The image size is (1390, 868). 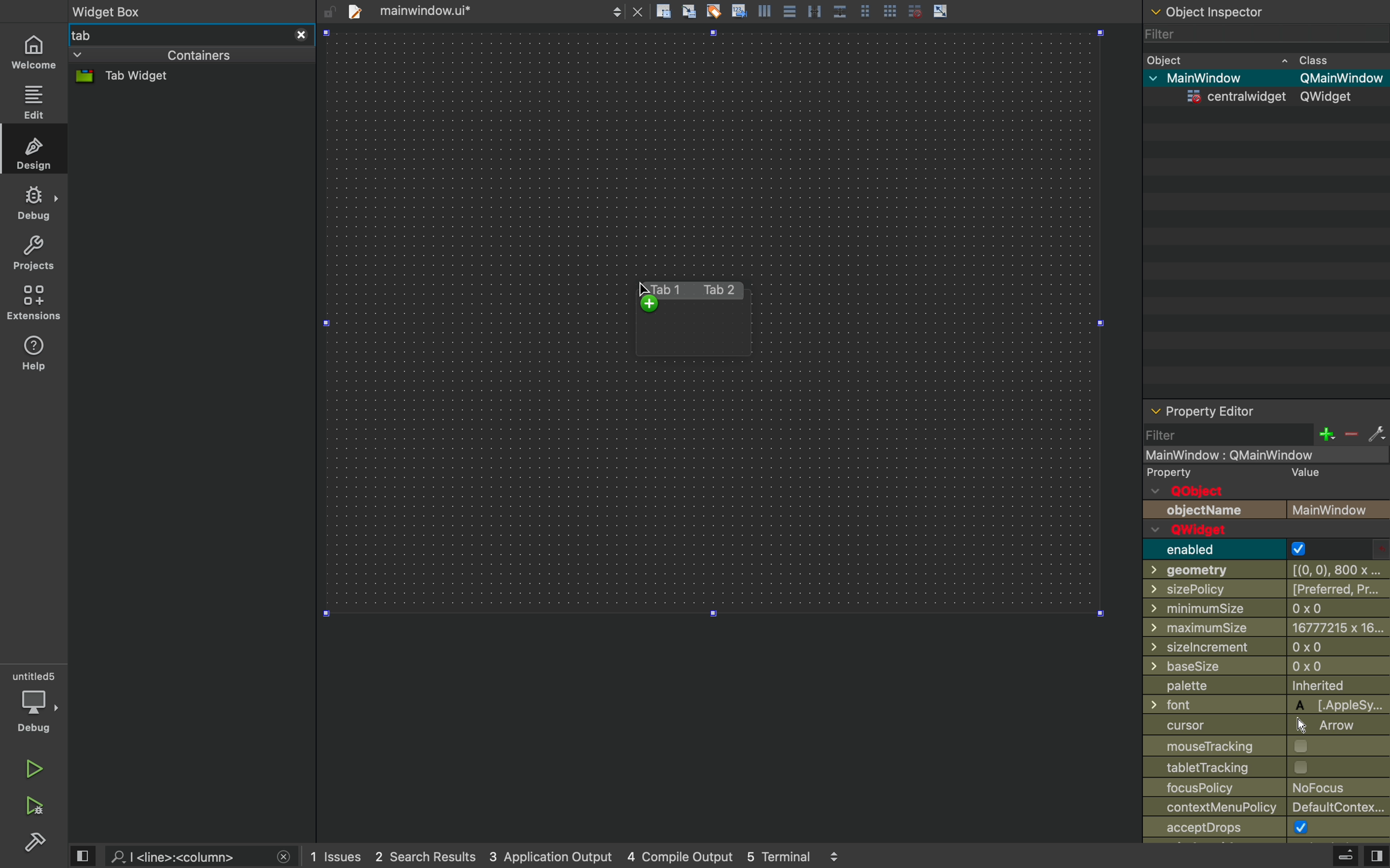 I want to click on objectname, so click(x=1265, y=509).